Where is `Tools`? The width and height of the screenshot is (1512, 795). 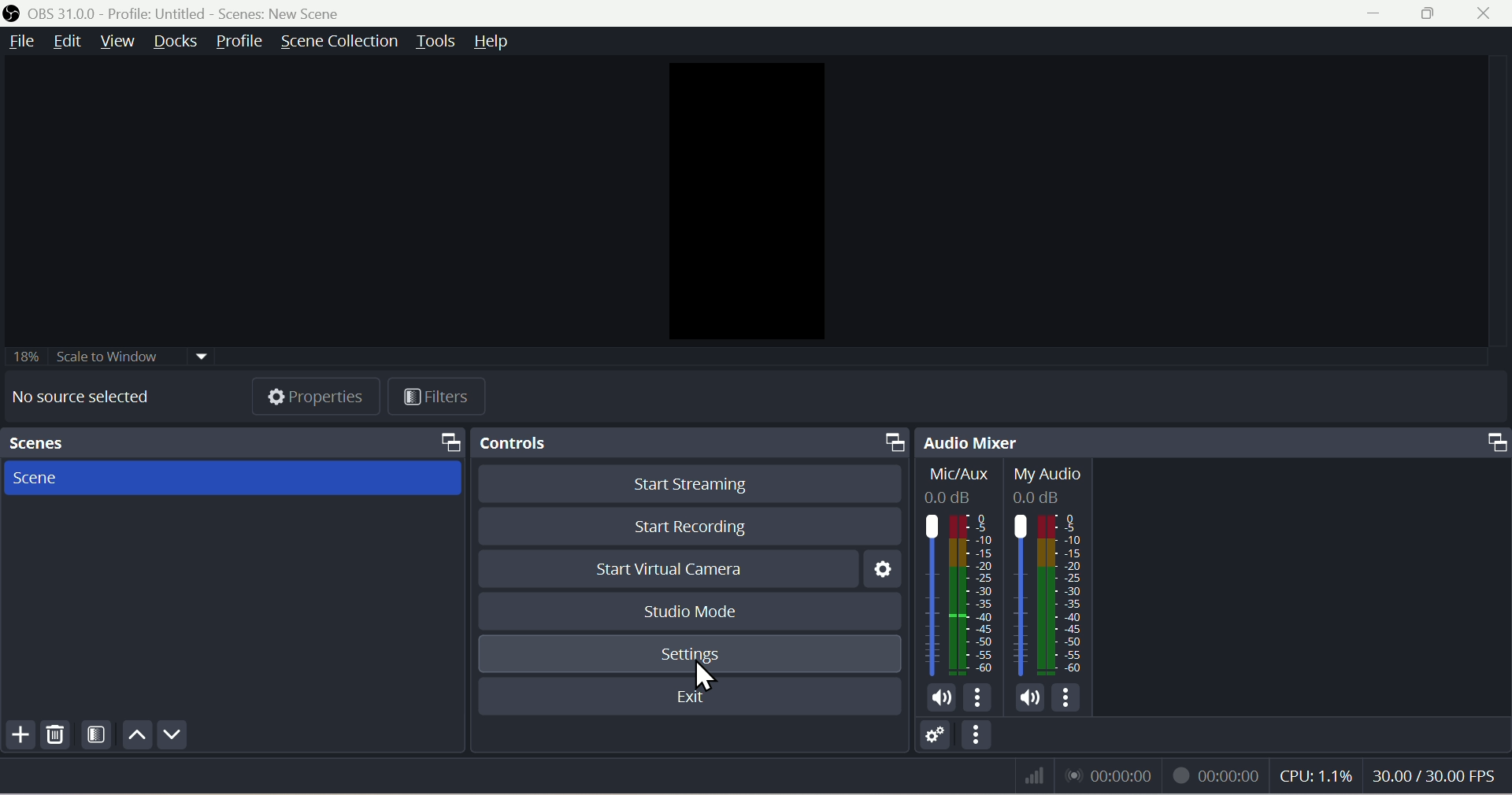 Tools is located at coordinates (435, 42).